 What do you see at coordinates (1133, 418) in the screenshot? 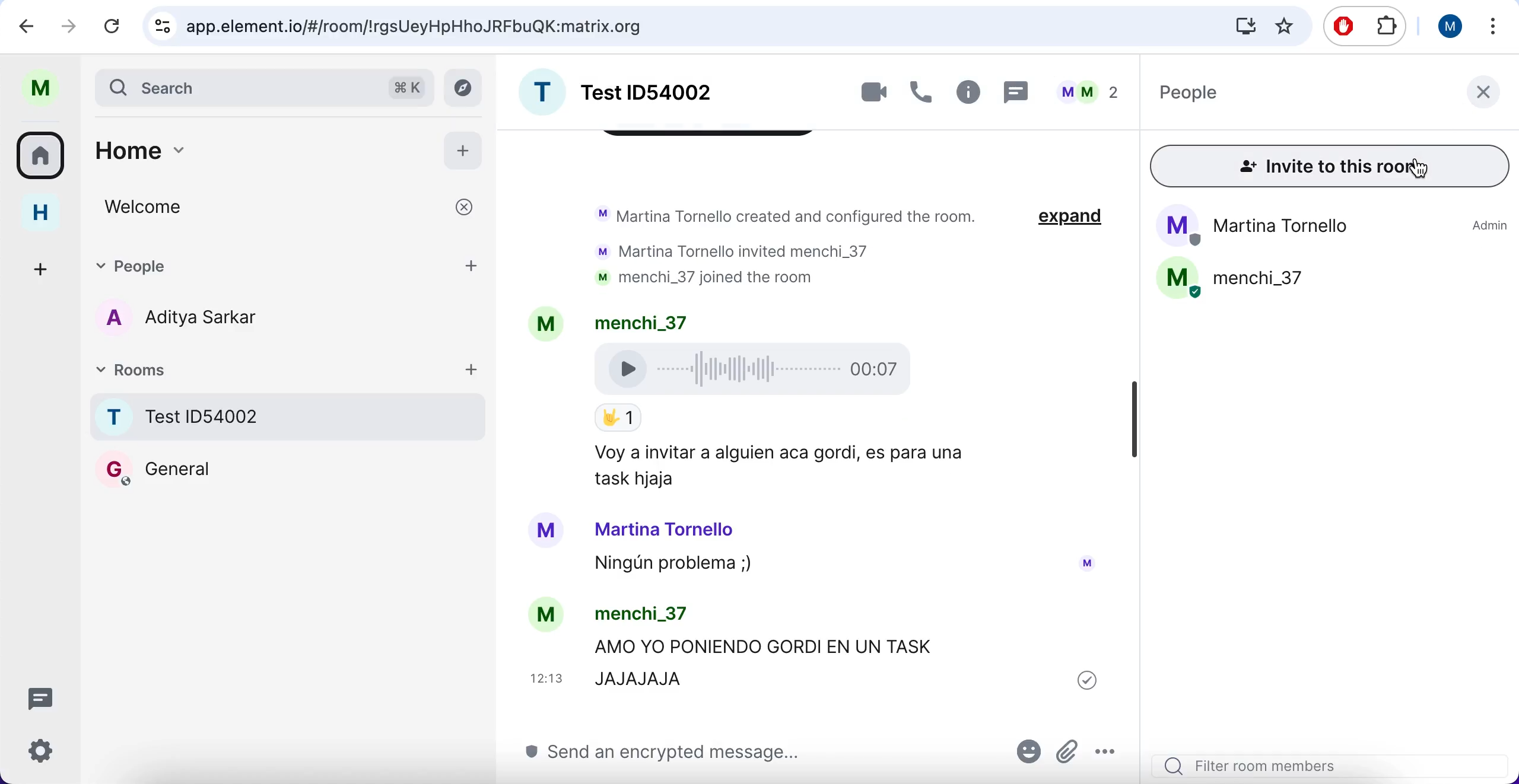
I see `vertical slider` at bounding box center [1133, 418].